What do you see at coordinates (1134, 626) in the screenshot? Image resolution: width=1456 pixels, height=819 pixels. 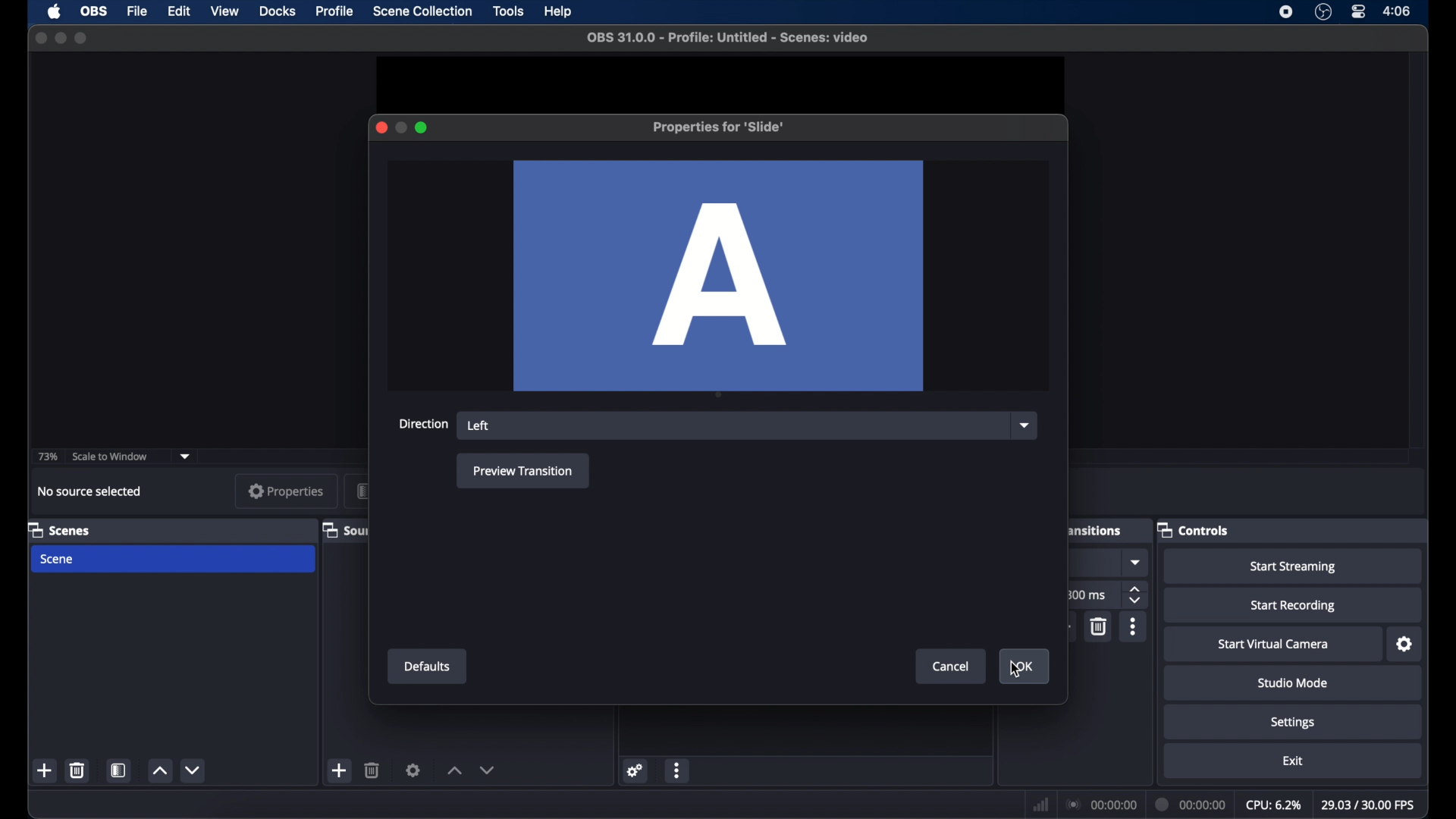 I see `moreoptions` at bounding box center [1134, 626].